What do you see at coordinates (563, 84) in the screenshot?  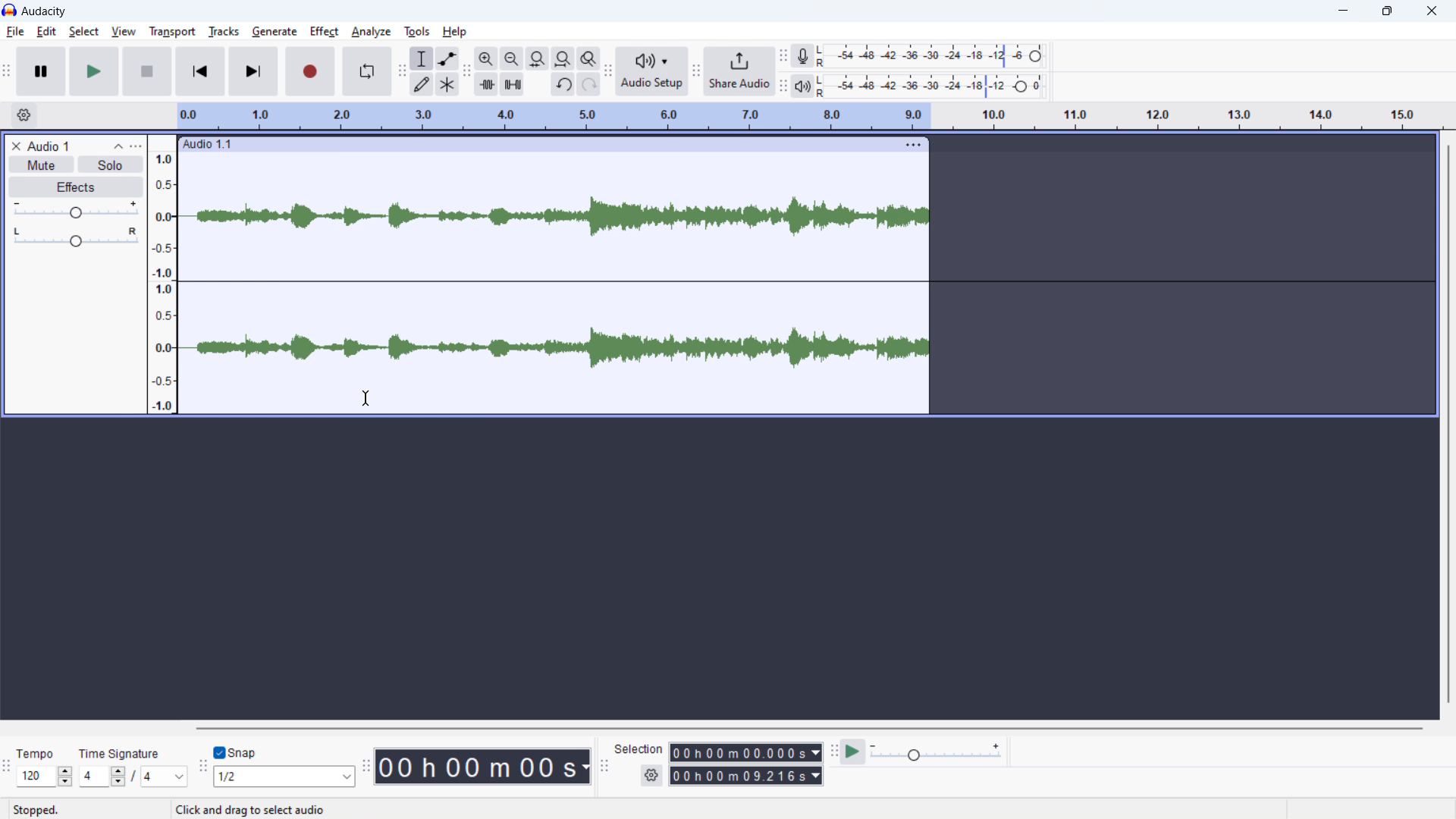 I see `undo` at bounding box center [563, 84].